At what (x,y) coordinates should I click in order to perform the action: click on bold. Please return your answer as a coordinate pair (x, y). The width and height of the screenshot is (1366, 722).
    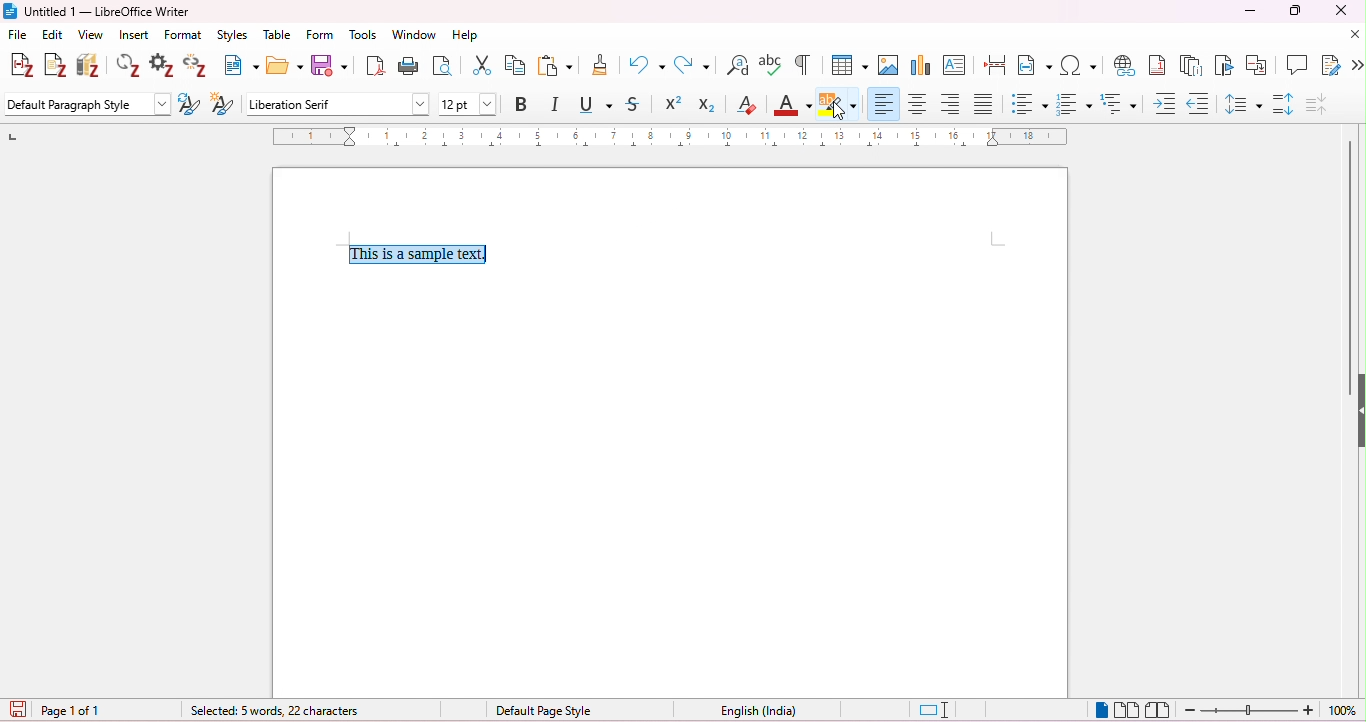
    Looking at the image, I should click on (522, 104).